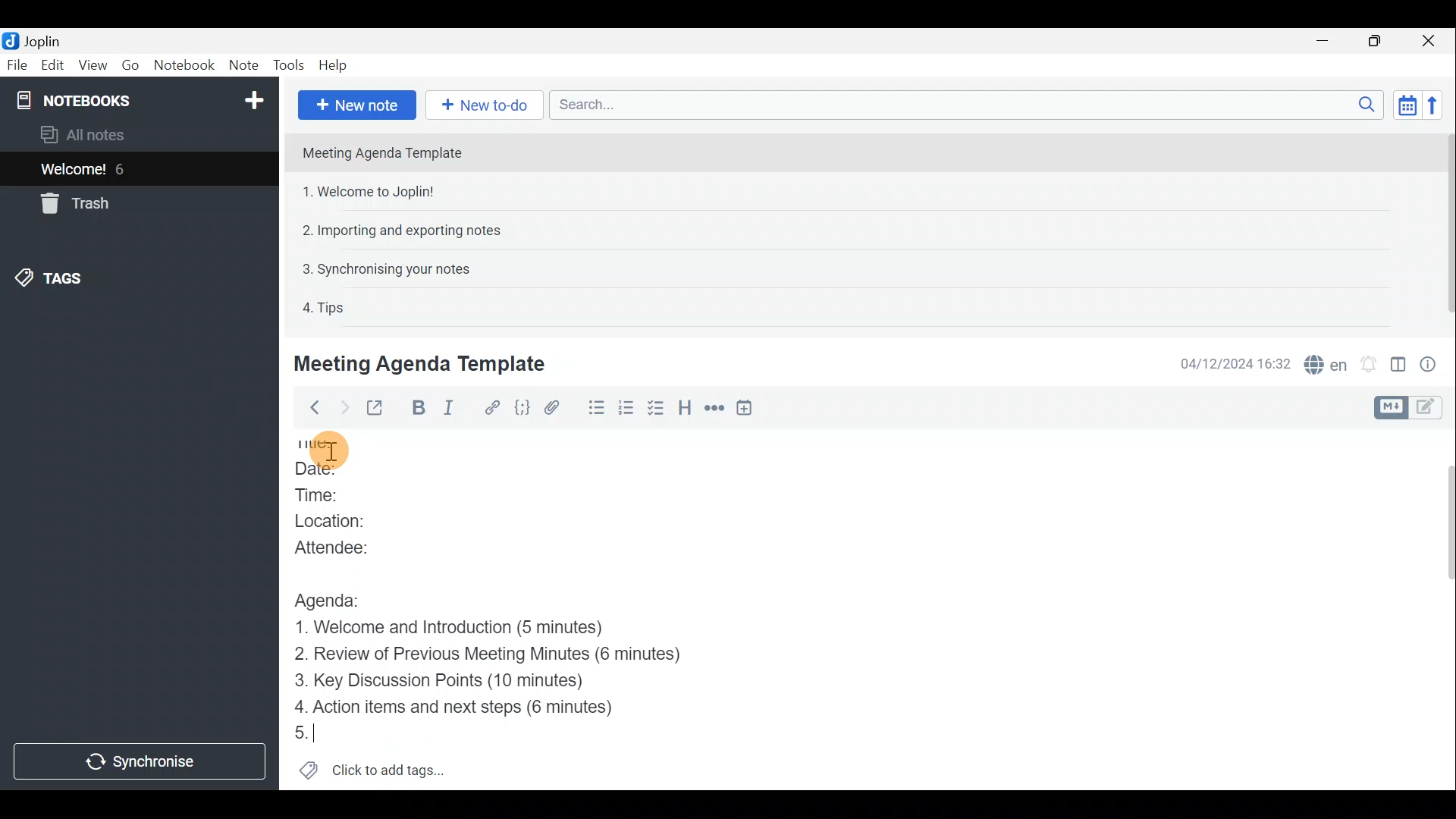  I want to click on Back, so click(310, 410).